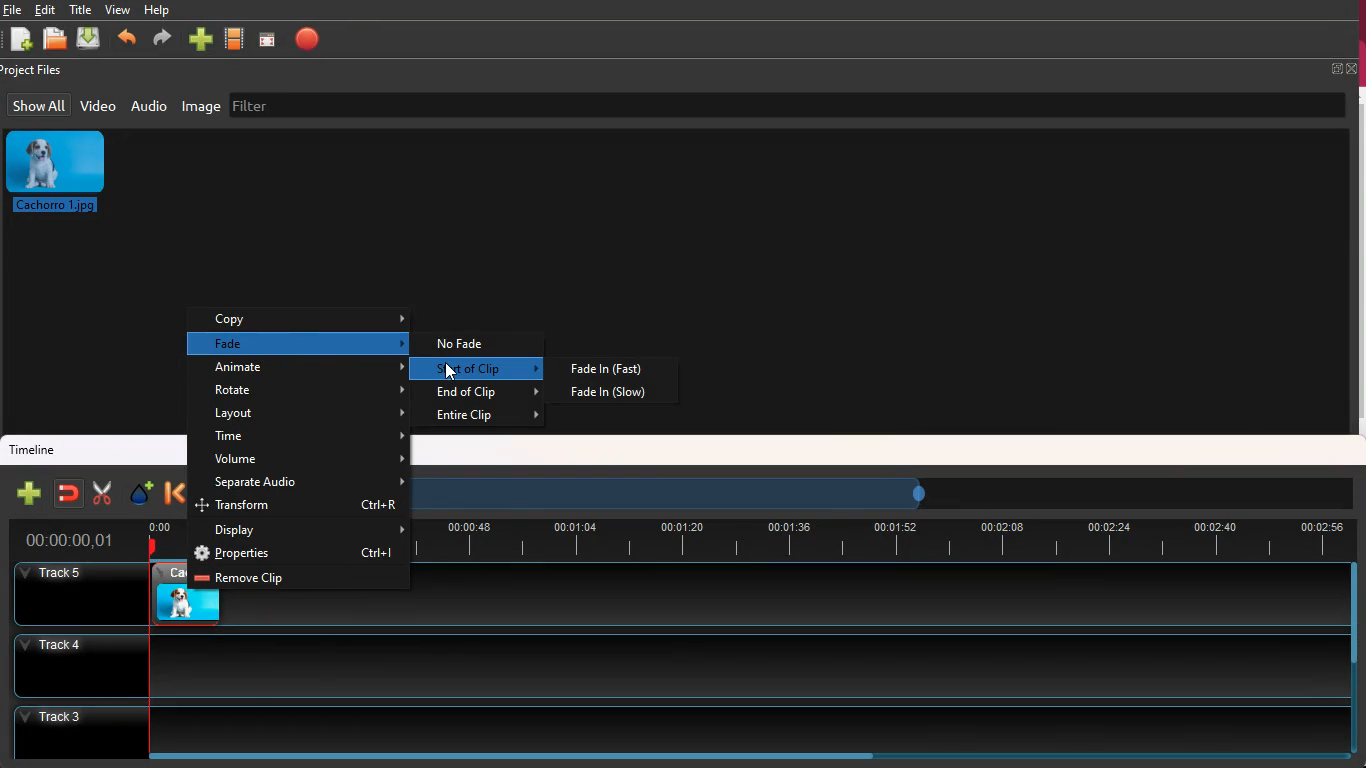  I want to click on help, so click(161, 10).